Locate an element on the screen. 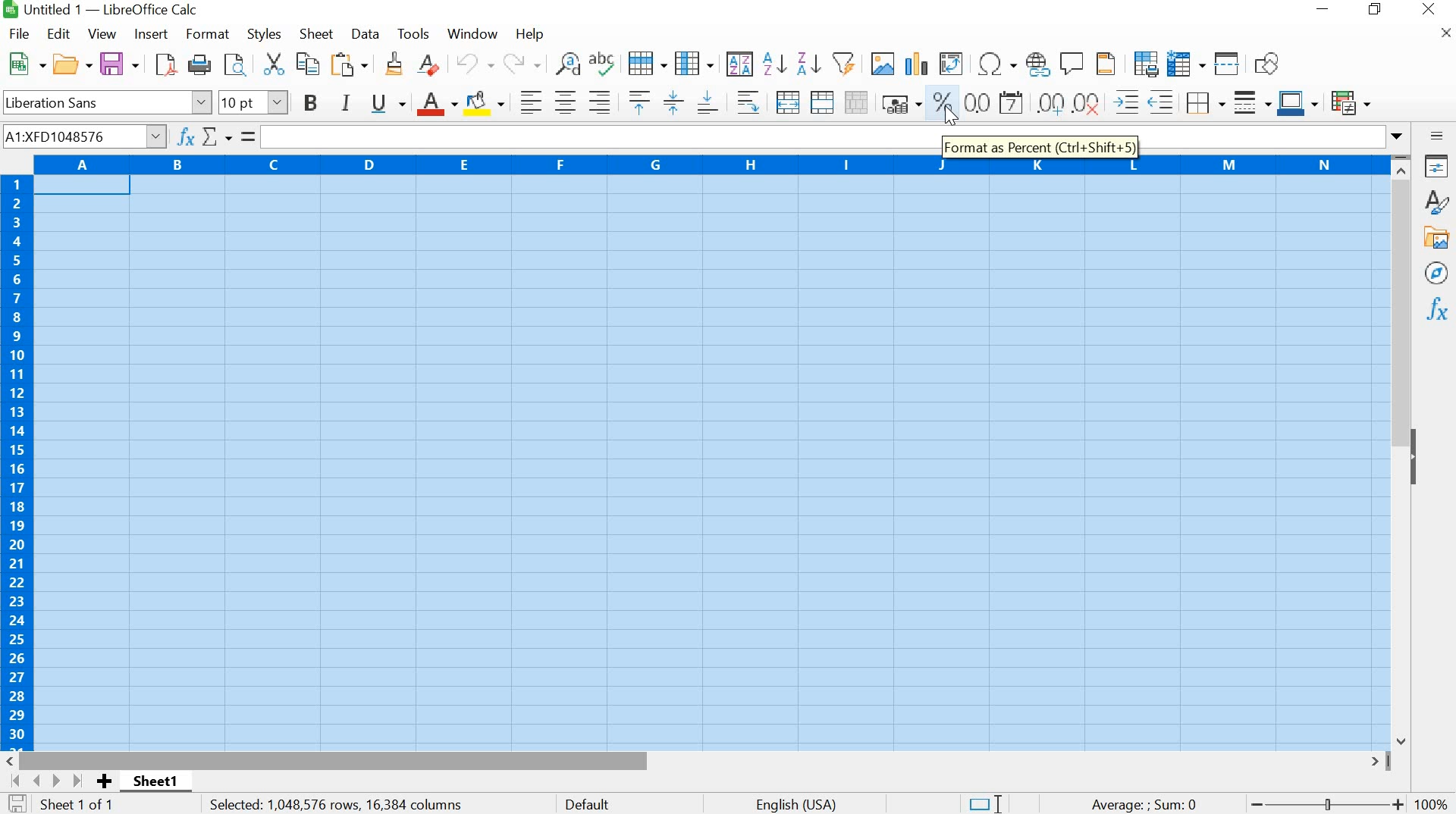 The image size is (1456, 814). Functions is located at coordinates (1435, 307).